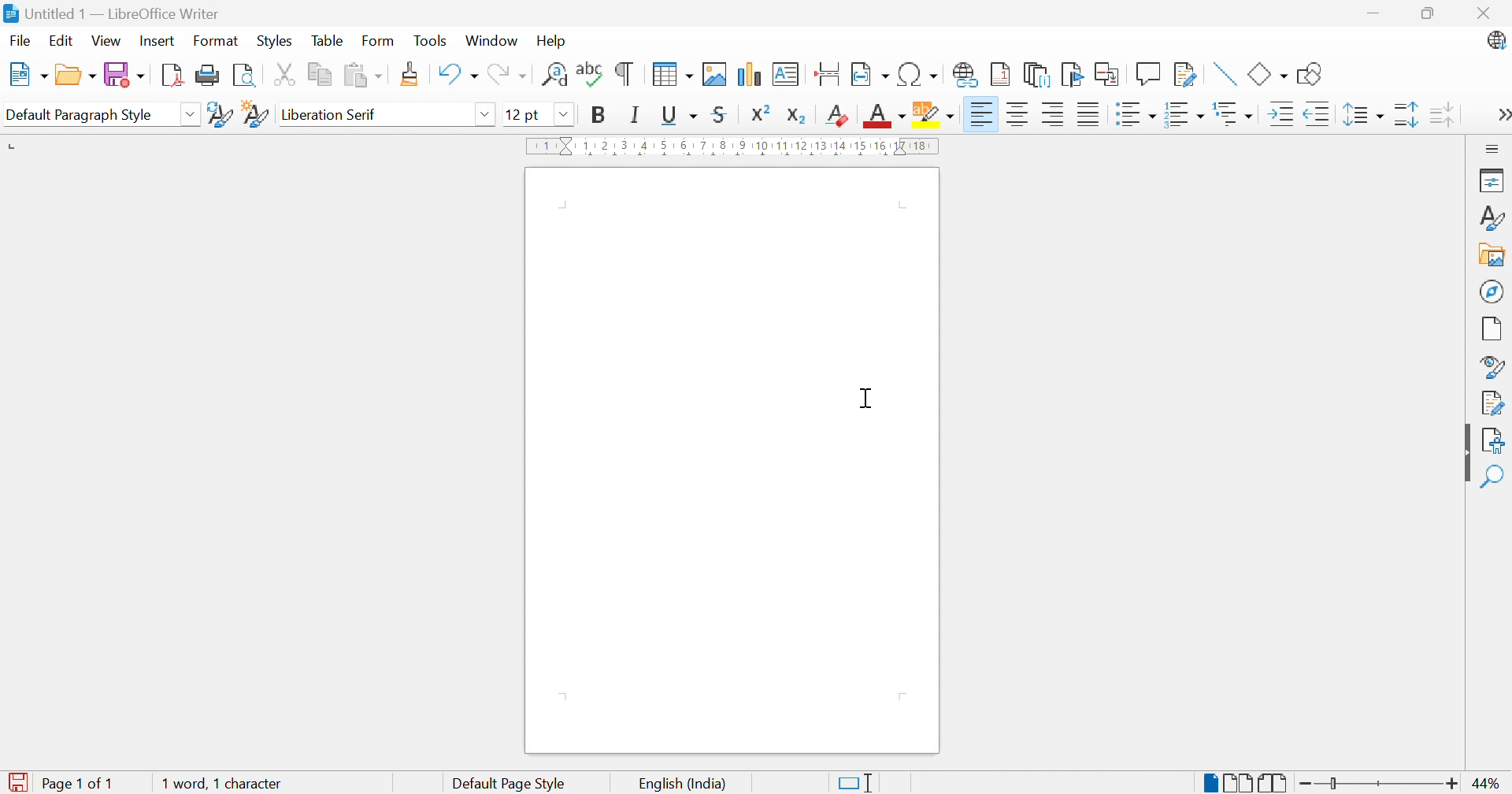  Describe the element at coordinates (1466, 451) in the screenshot. I see `Hide` at that location.